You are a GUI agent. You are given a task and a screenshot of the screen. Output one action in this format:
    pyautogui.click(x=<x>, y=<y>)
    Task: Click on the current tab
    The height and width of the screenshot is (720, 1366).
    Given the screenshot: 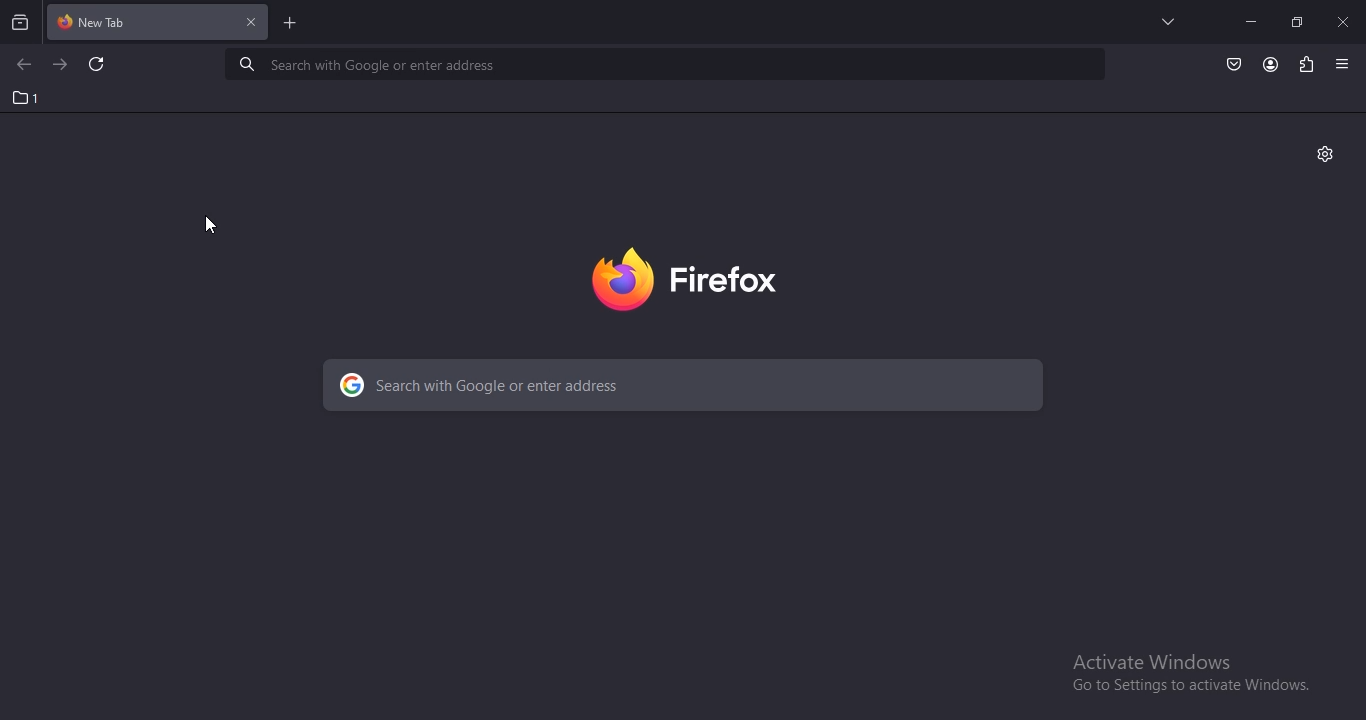 What is the action you would take?
    pyautogui.click(x=159, y=24)
    